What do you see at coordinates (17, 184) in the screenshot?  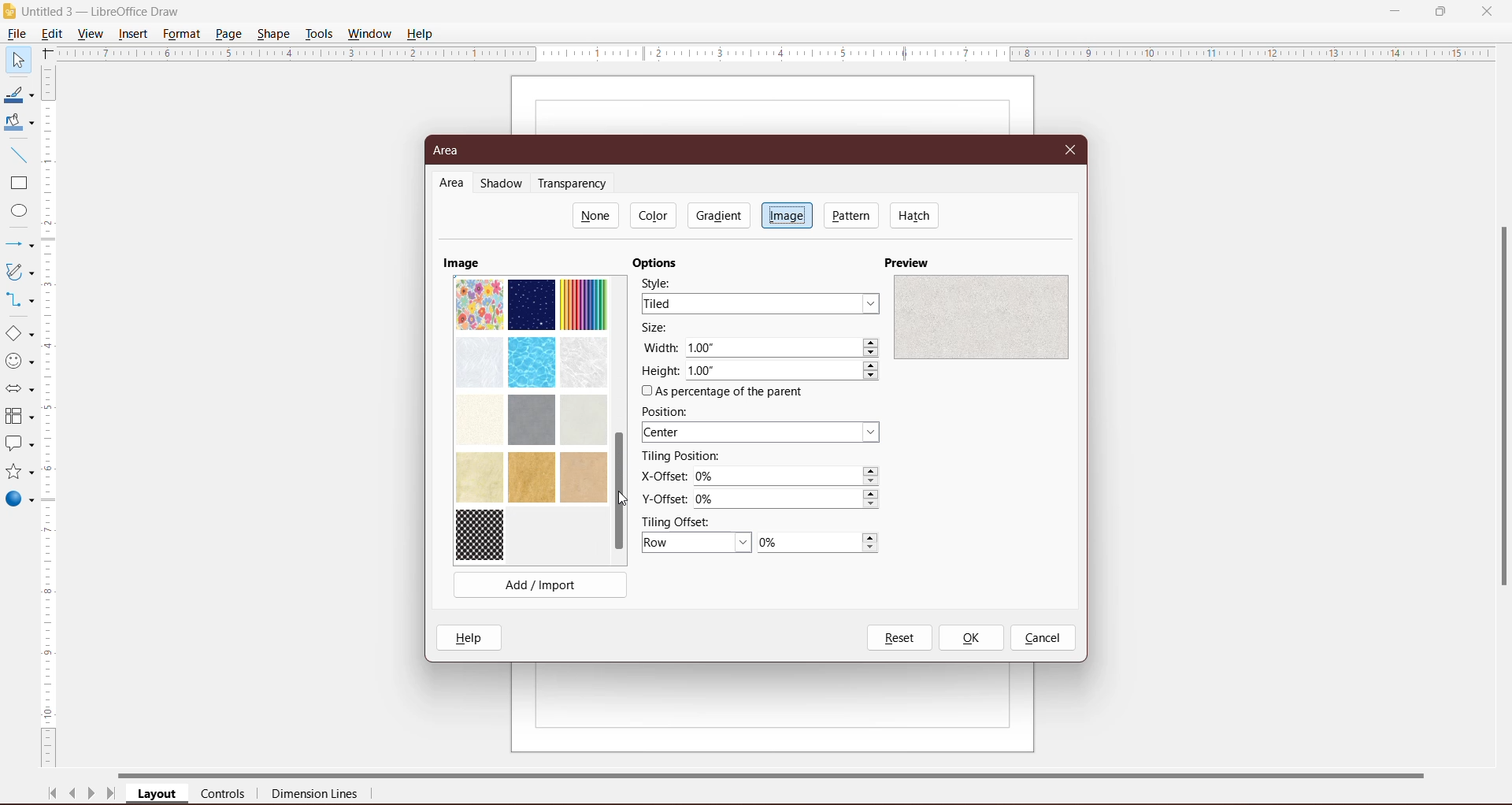 I see `Rectangle` at bounding box center [17, 184].